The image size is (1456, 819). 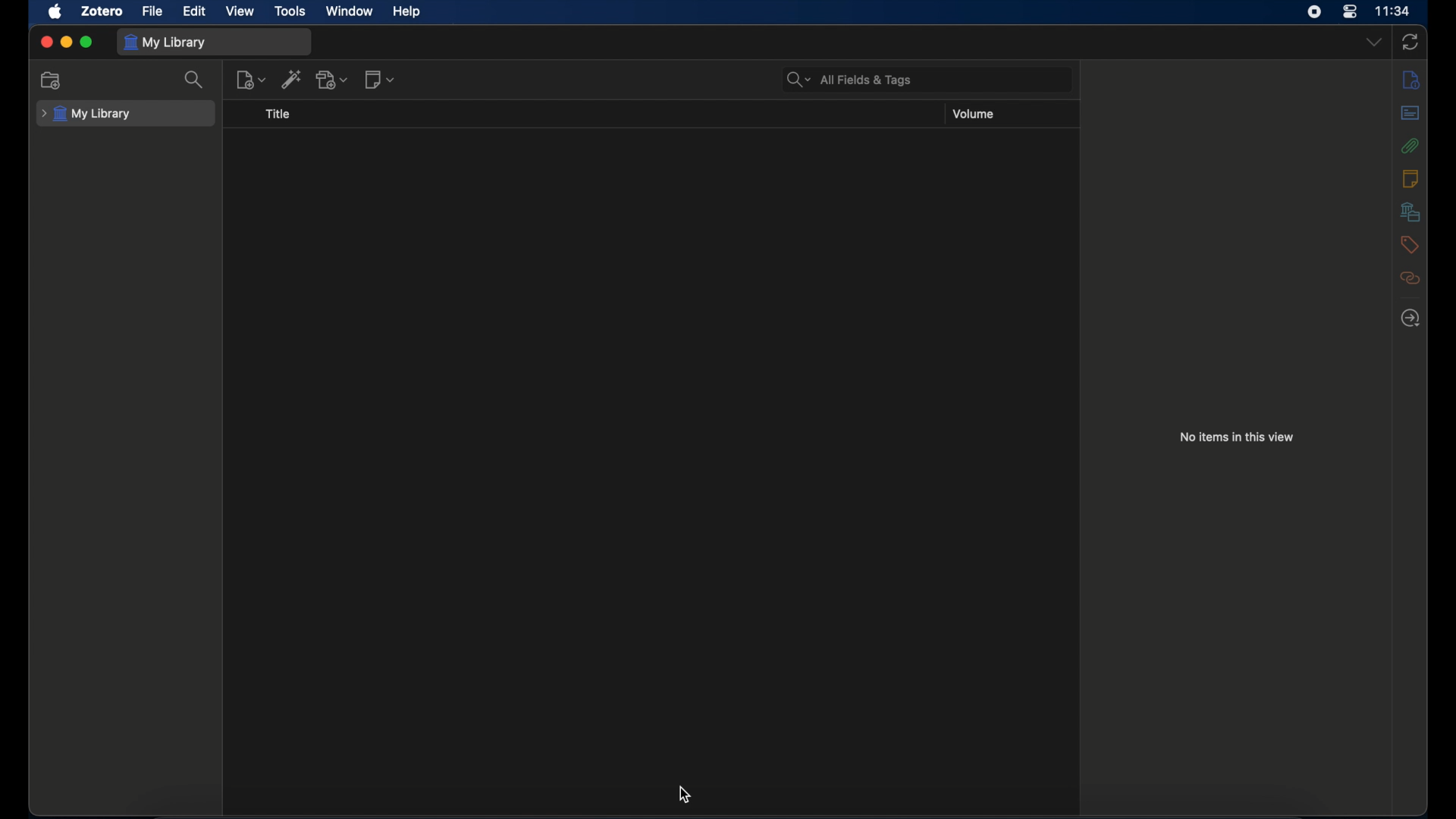 What do you see at coordinates (86, 42) in the screenshot?
I see `maximize` at bounding box center [86, 42].